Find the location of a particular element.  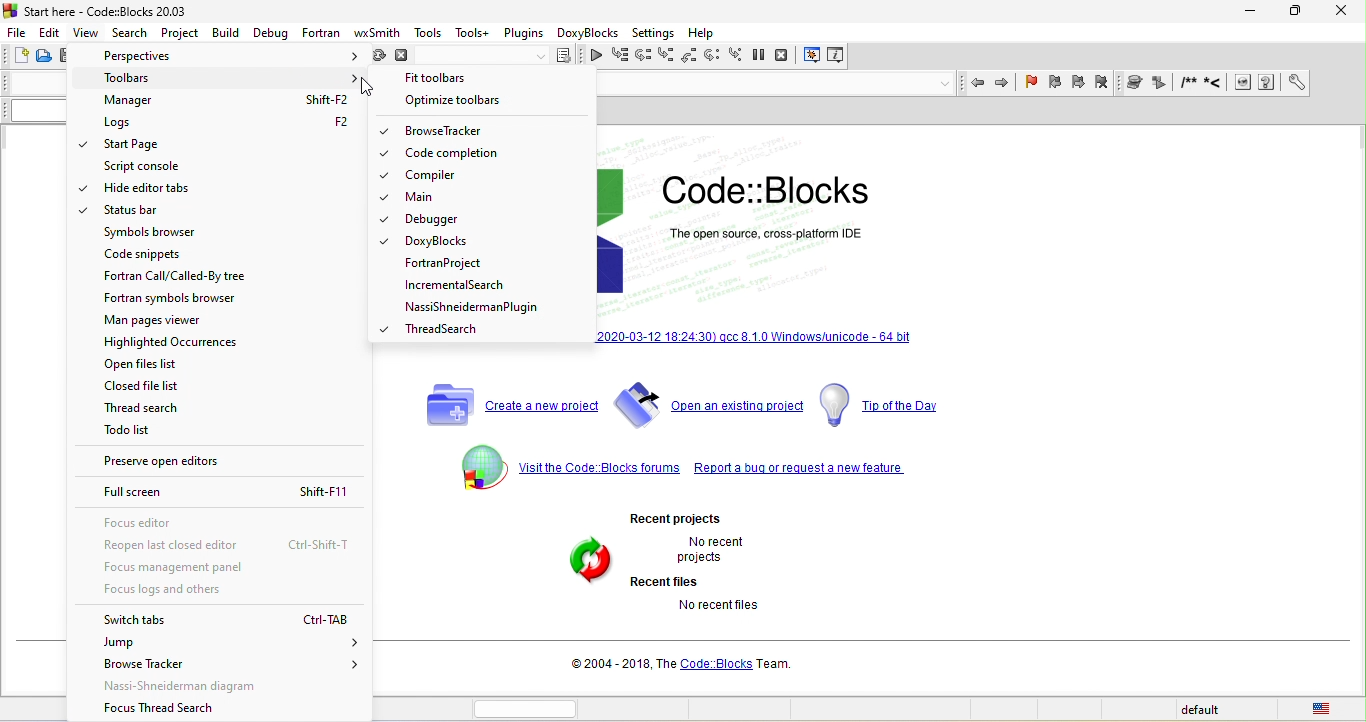

recent projects is located at coordinates (679, 518).